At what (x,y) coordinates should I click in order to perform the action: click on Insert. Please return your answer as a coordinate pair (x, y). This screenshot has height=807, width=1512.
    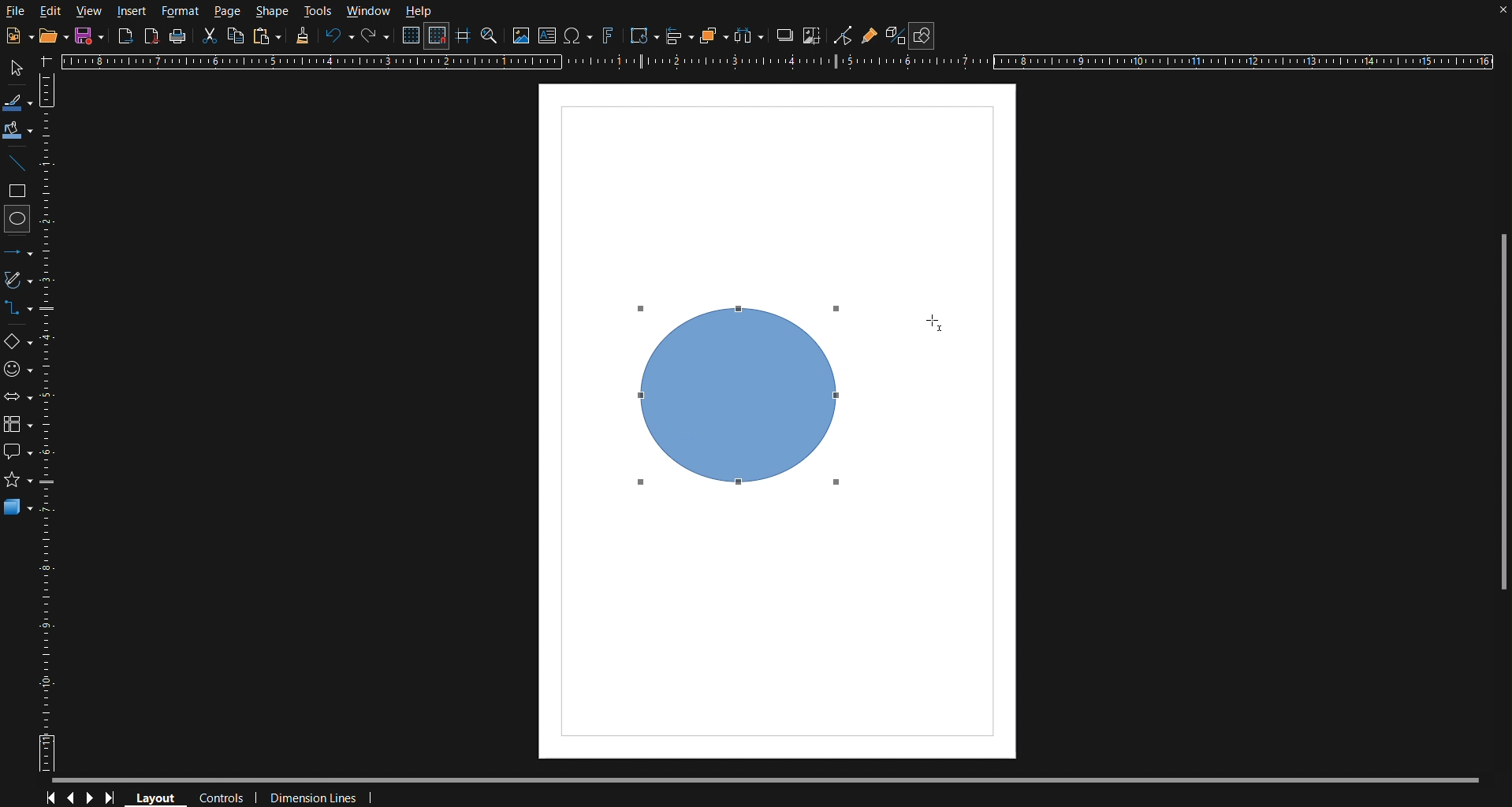
    Looking at the image, I should click on (131, 9).